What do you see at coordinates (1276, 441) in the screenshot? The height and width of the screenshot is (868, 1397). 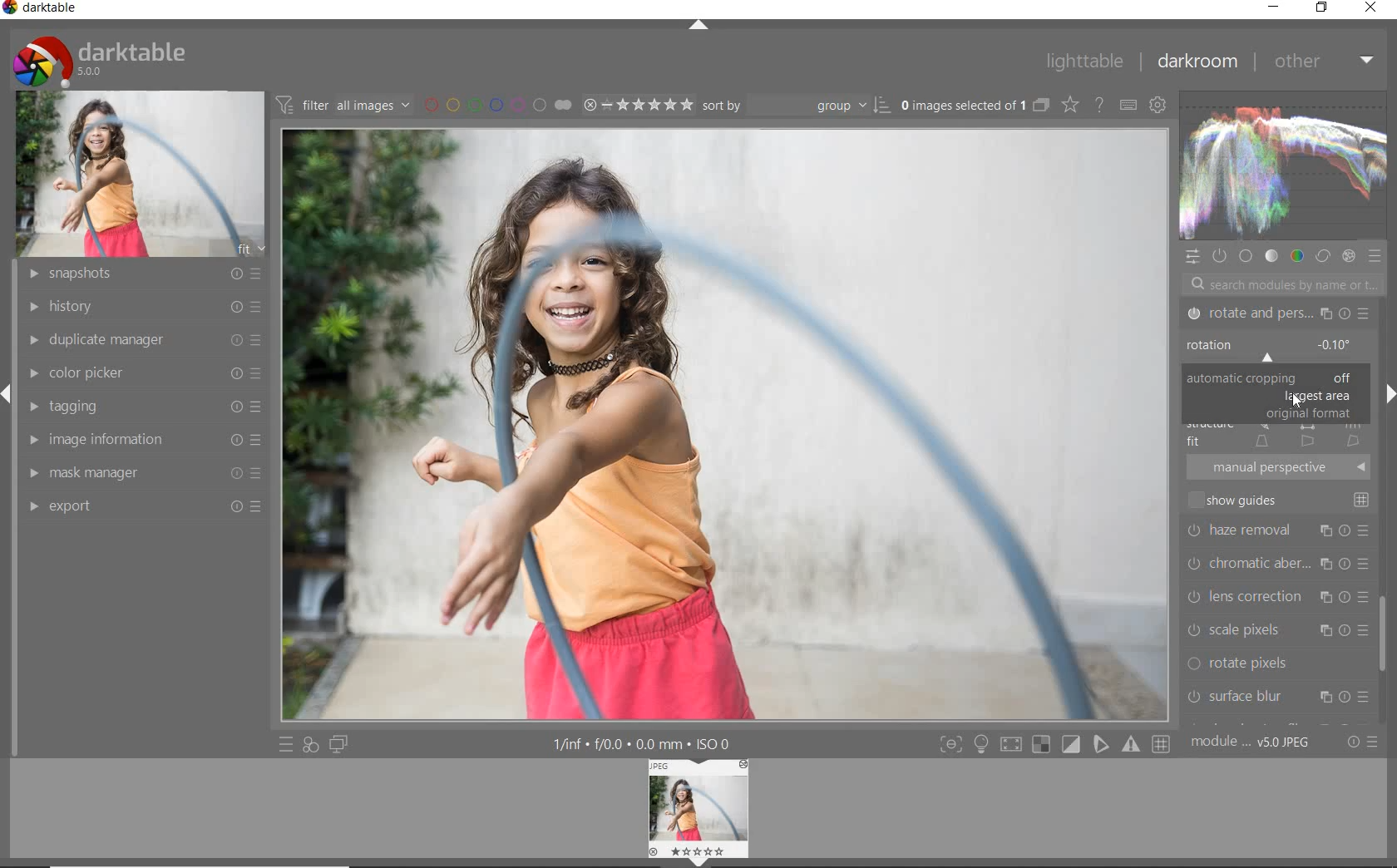 I see `FIT` at bounding box center [1276, 441].